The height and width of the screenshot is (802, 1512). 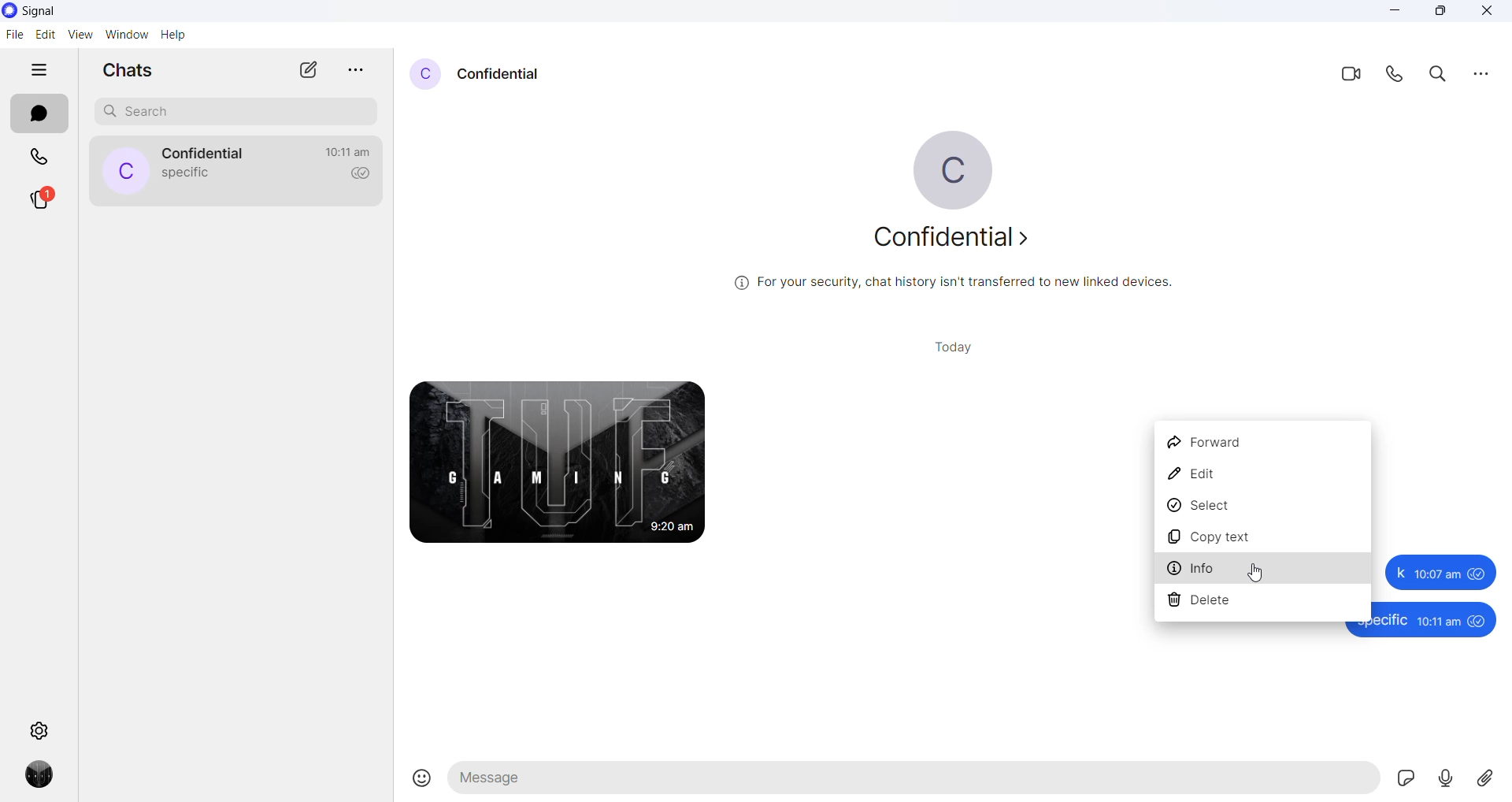 What do you see at coordinates (124, 70) in the screenshot?
I see `chats heading` at bounding box center [124, 70].